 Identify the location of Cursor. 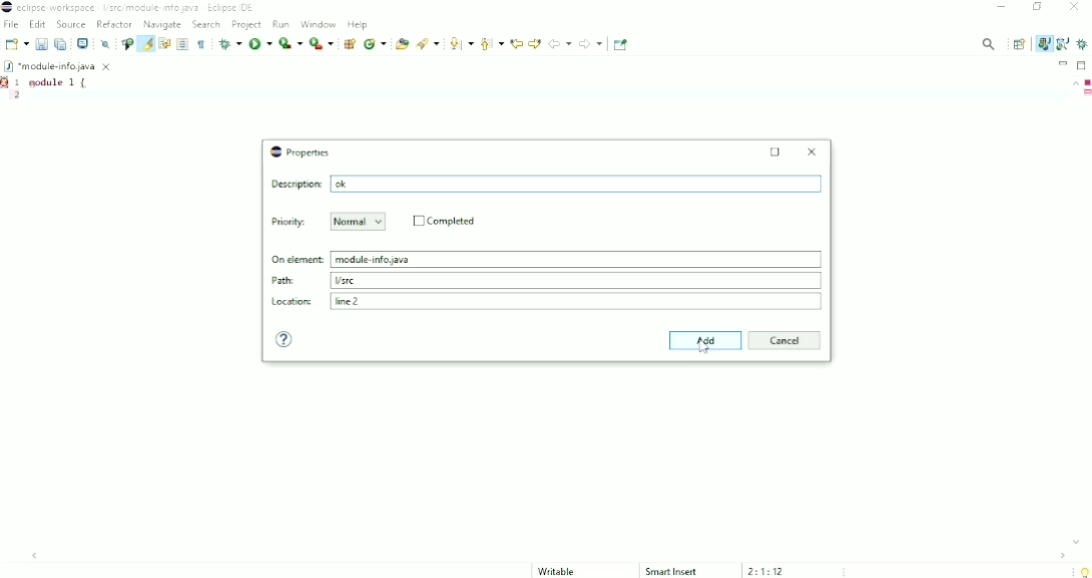
(704, 347).